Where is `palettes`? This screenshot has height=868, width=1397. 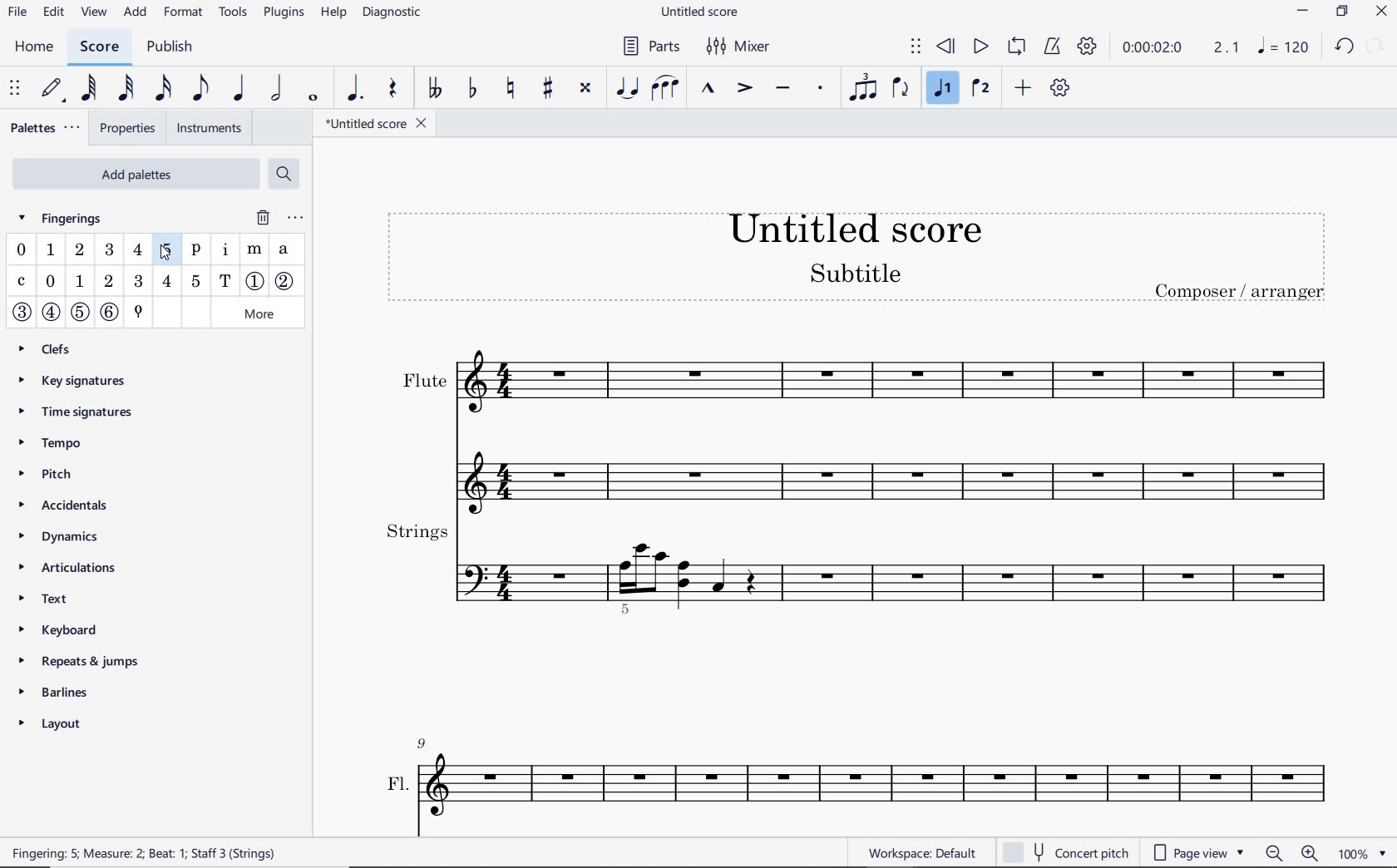 palettes is located at coordinates (47, 129).